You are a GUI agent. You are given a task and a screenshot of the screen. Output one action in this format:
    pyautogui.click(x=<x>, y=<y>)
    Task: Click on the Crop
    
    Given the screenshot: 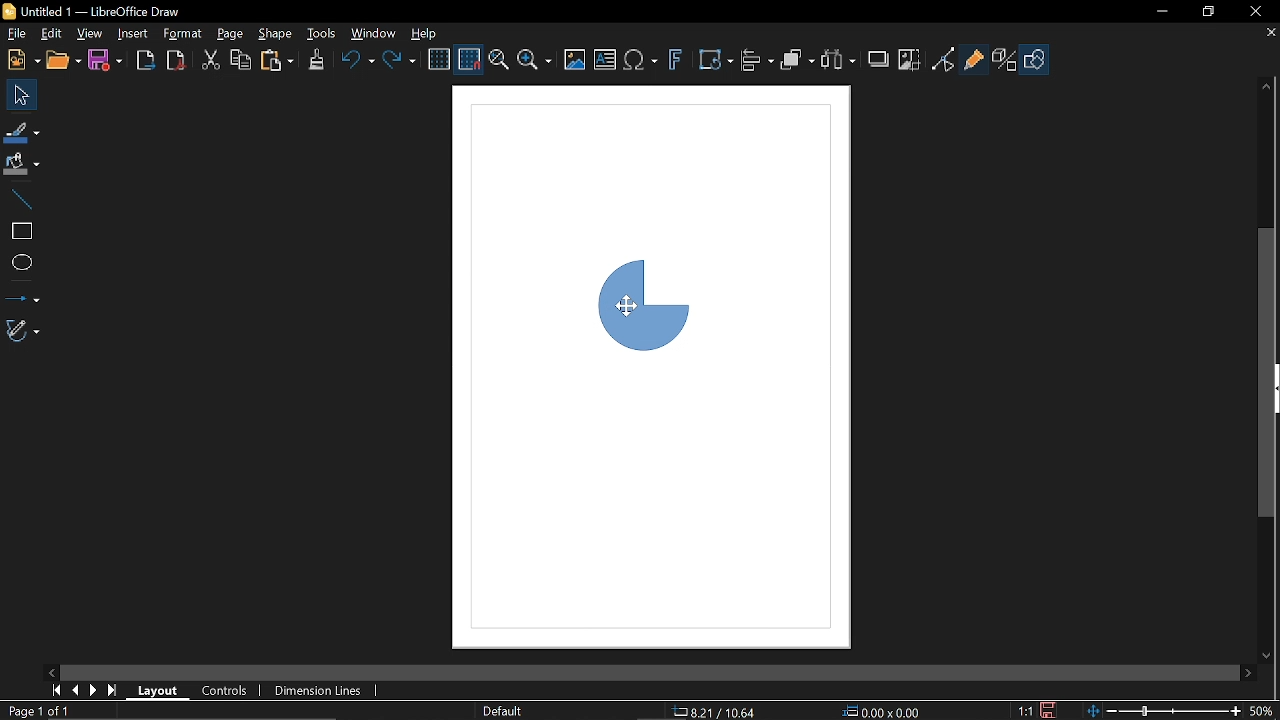 What is the action you would take?
    pyautogui.click(x=910, y=60)
    